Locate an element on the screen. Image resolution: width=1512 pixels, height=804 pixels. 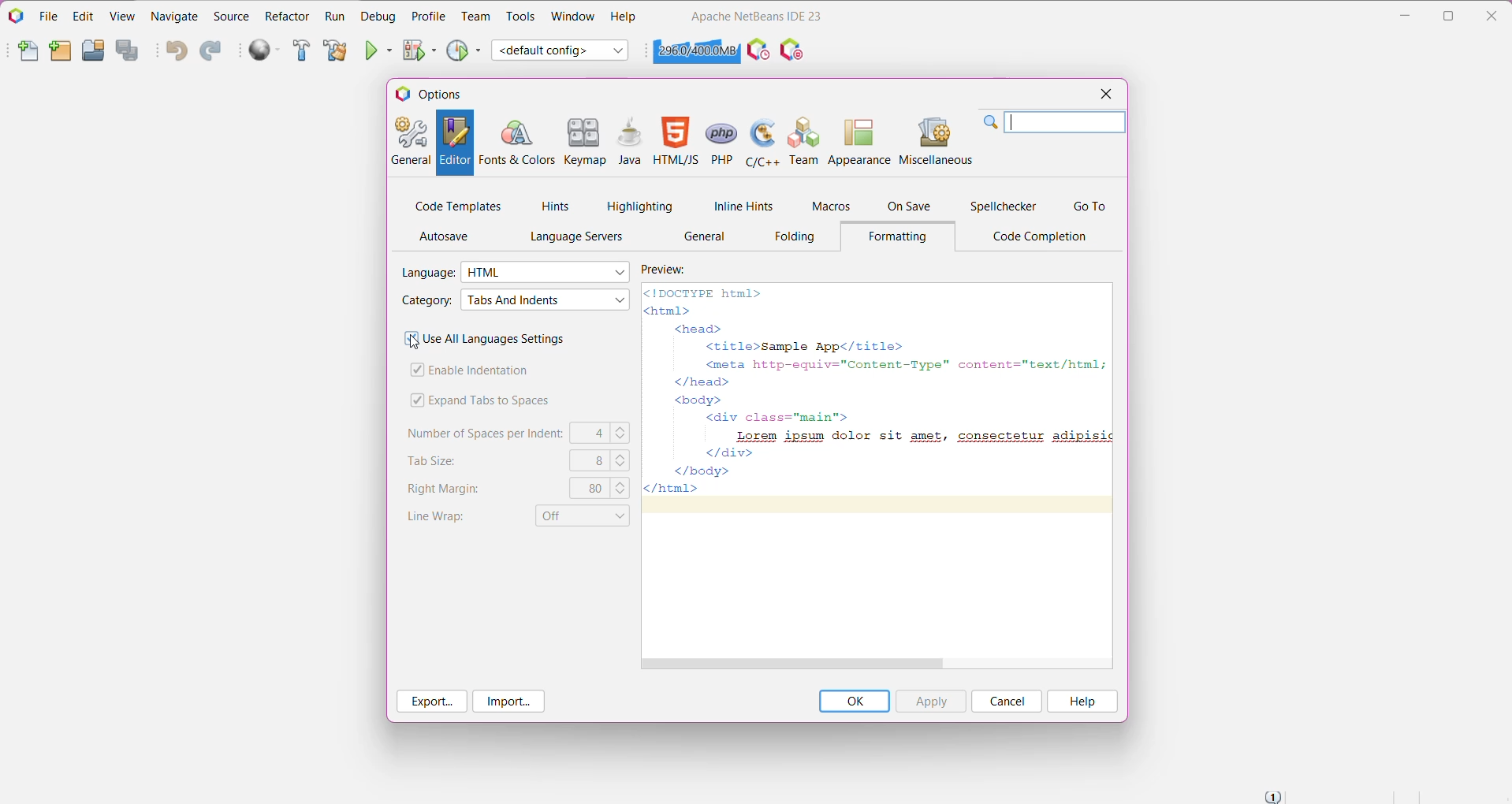
Edit is located at coordinates (81, 16).